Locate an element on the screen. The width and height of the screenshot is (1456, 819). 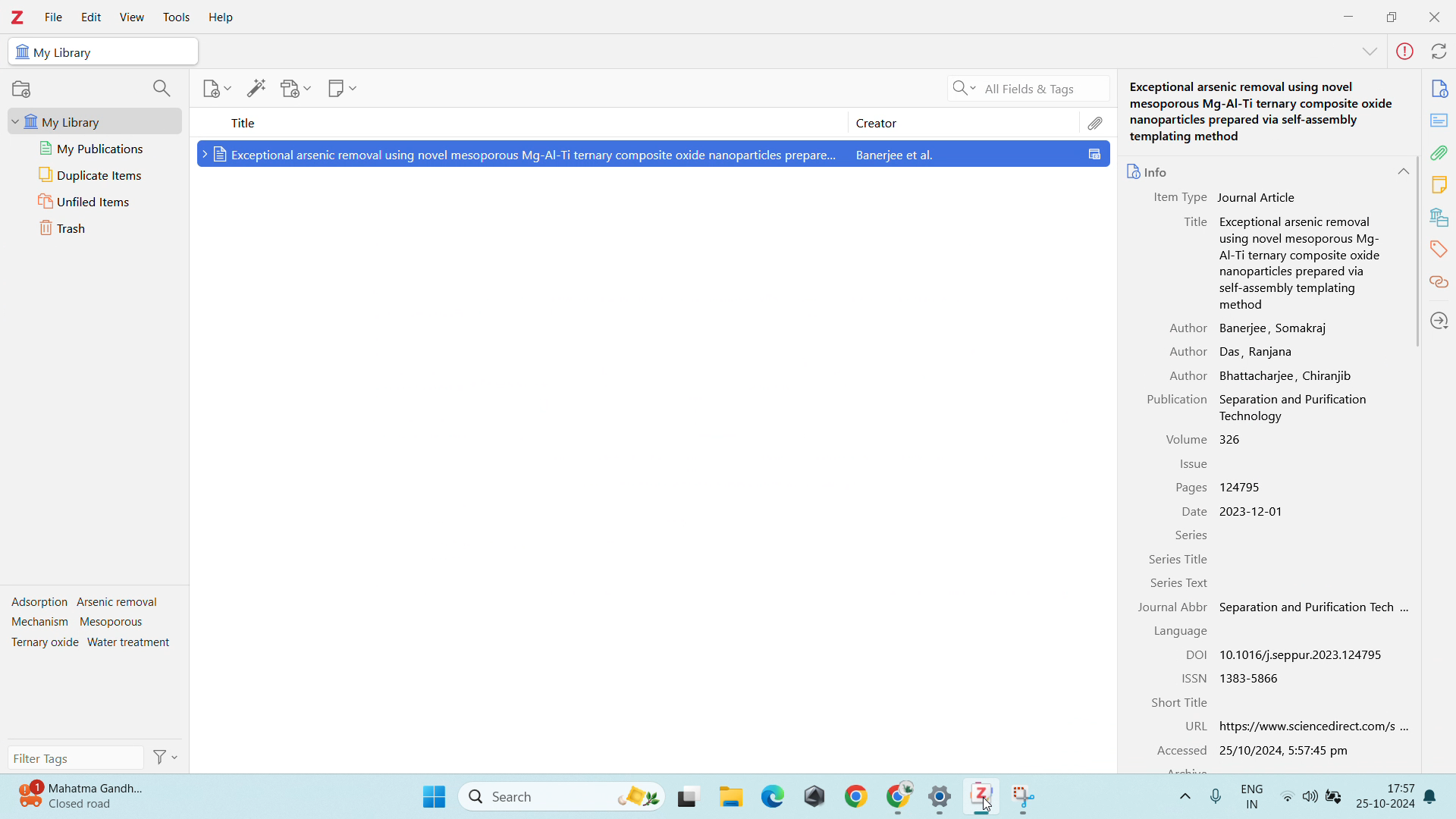
locate is located at coordinates (1440, 320).